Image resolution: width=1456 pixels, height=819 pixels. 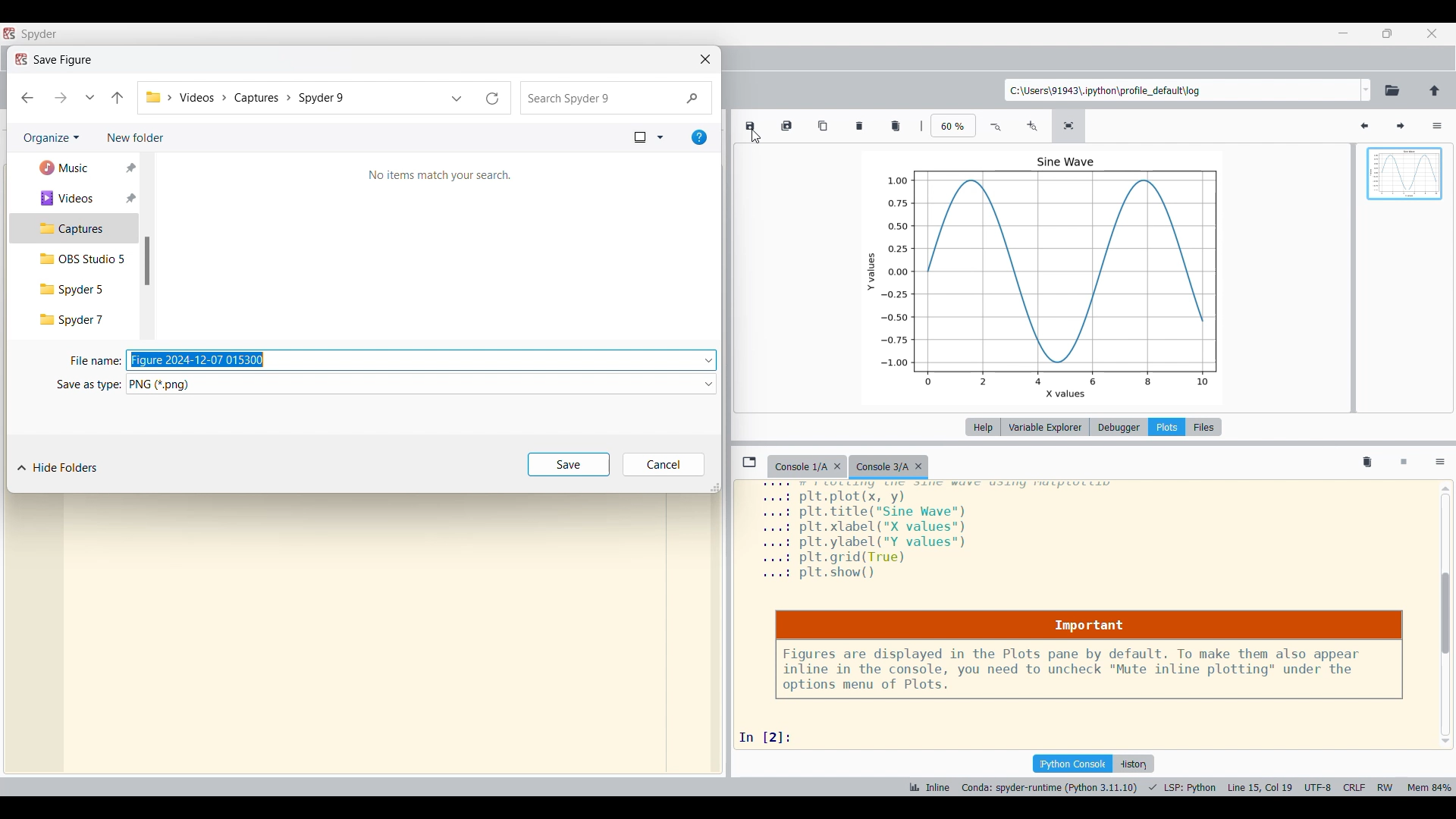 What do you see at coordinates (1072, 764) in the screenshot?
I see `IPython console` at bounding box center [1072, 764].